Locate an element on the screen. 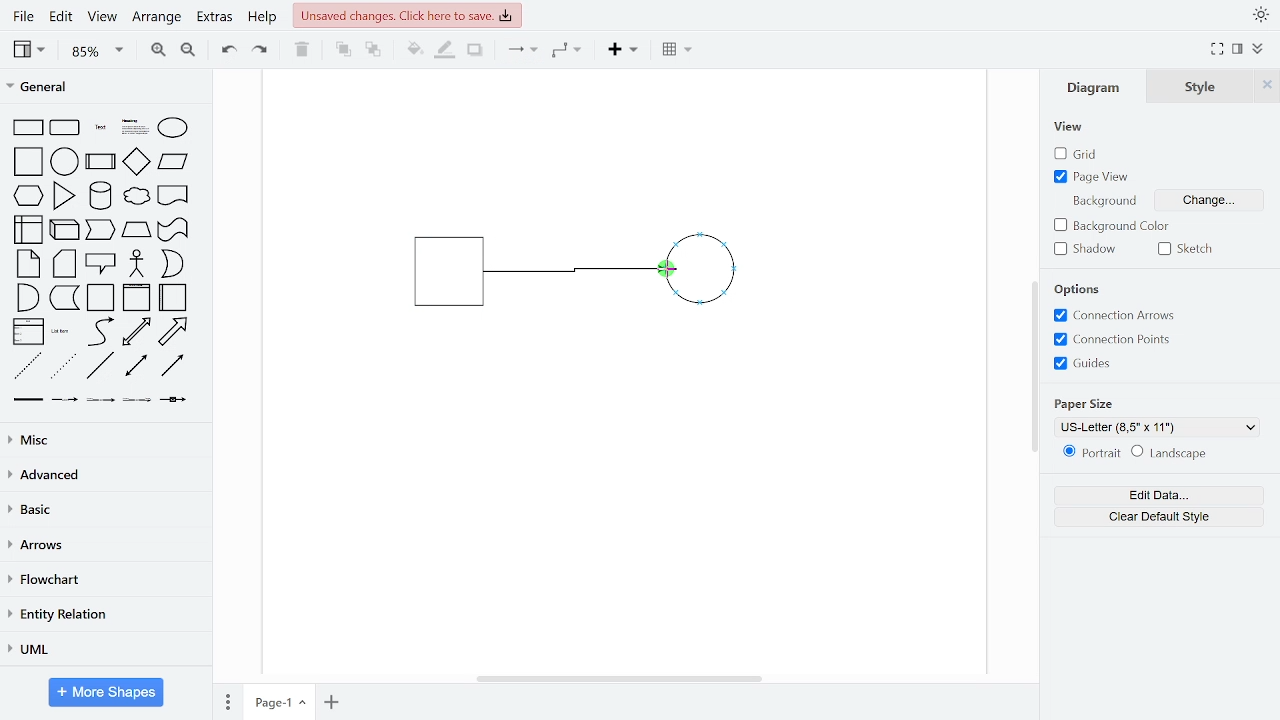  hexagon is located at coordinates (32, 197).